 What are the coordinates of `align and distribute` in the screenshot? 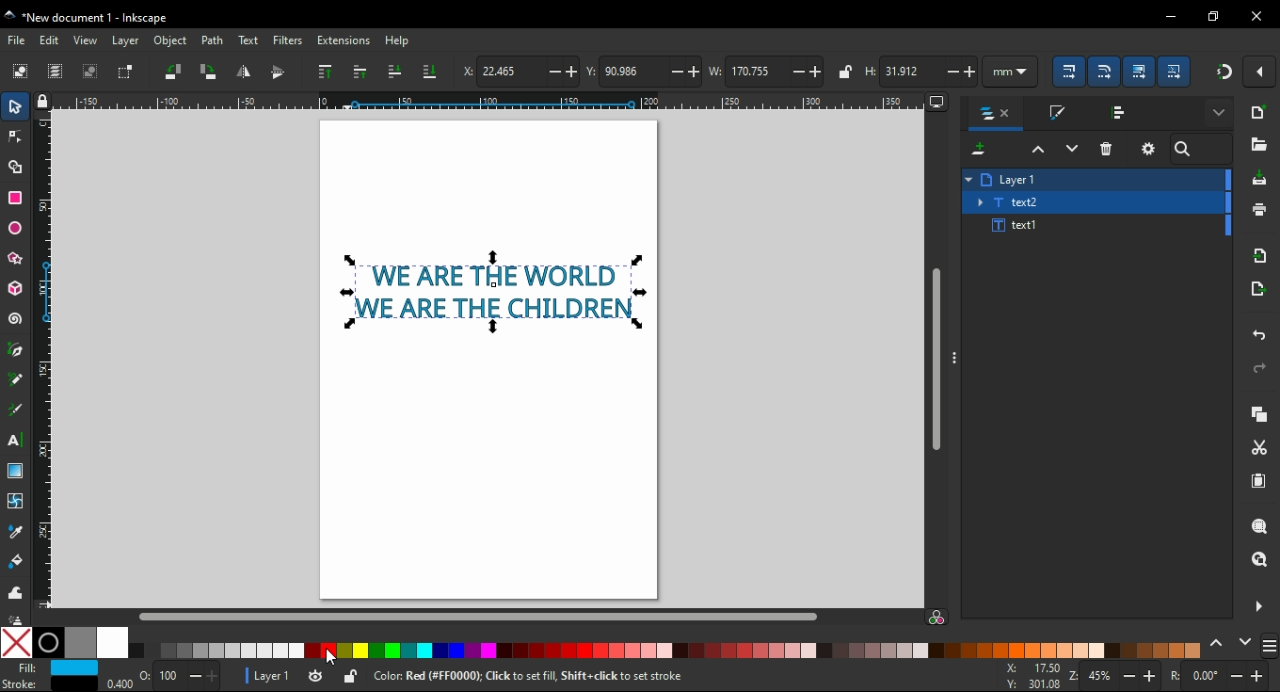 It's located at (1120, 111).